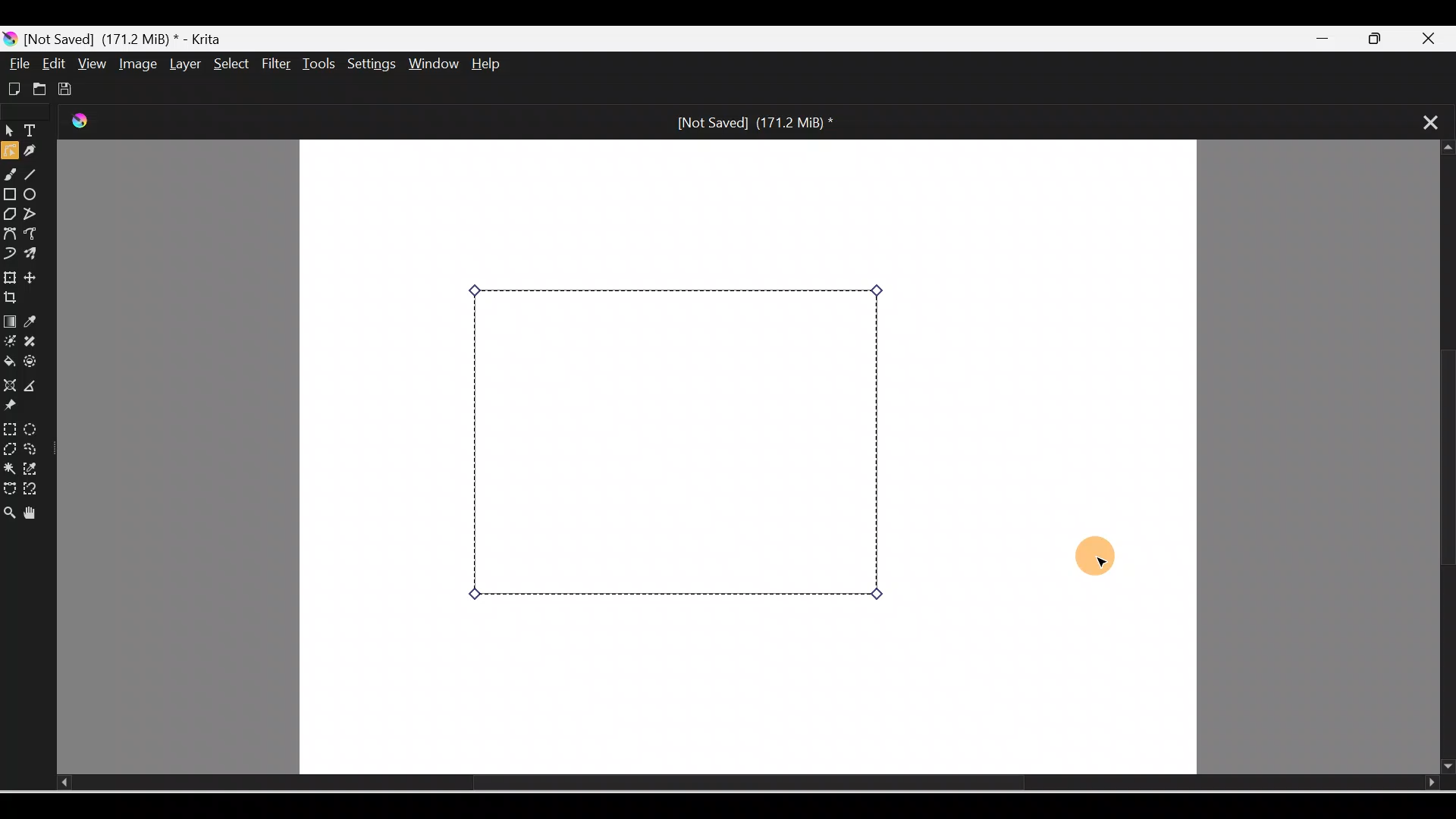  I want to click on Scroll bar, so click(725, 783).